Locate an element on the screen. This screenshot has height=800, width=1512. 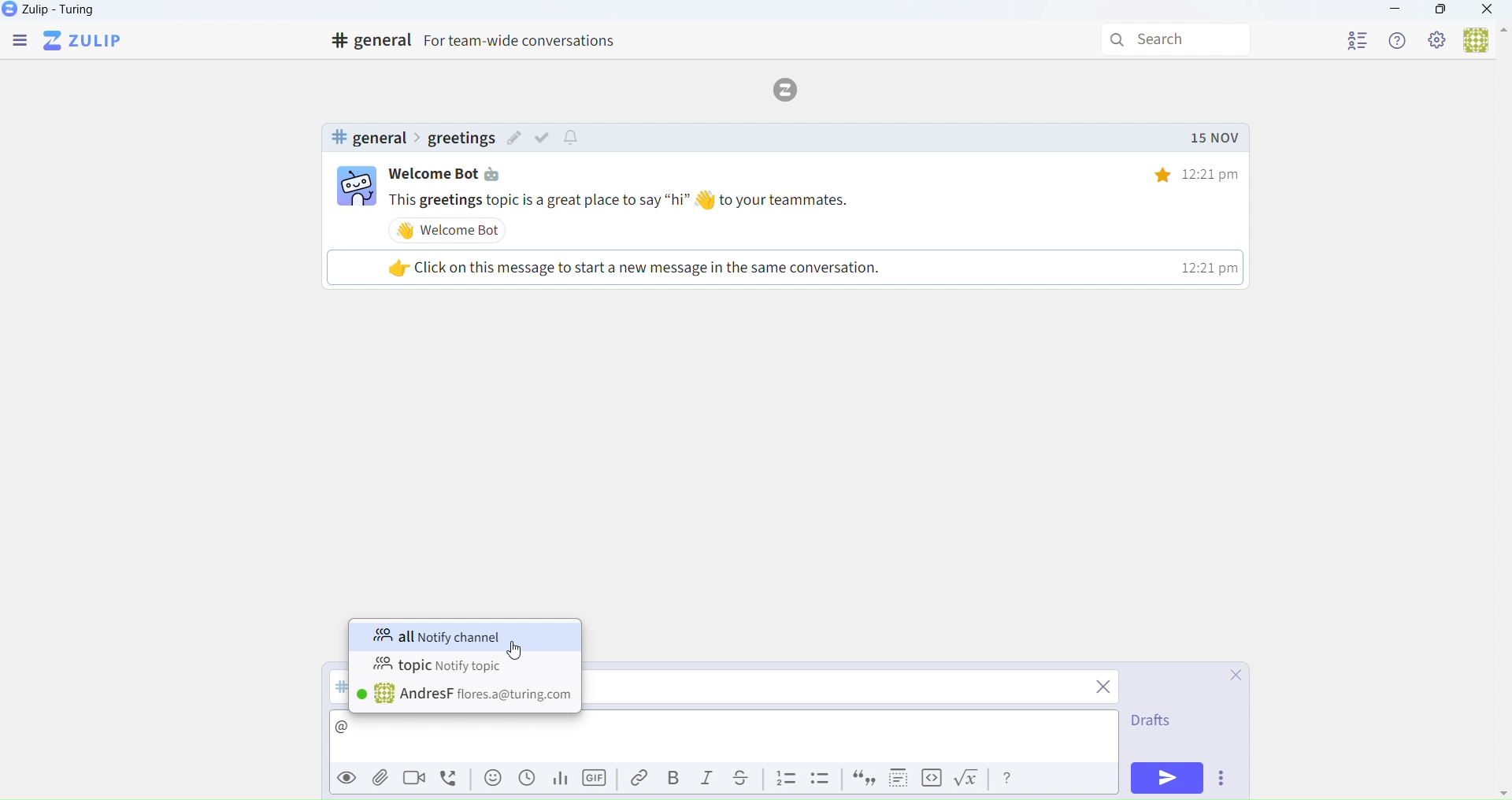
All Notify Channel is located at coordinates (454, 636).